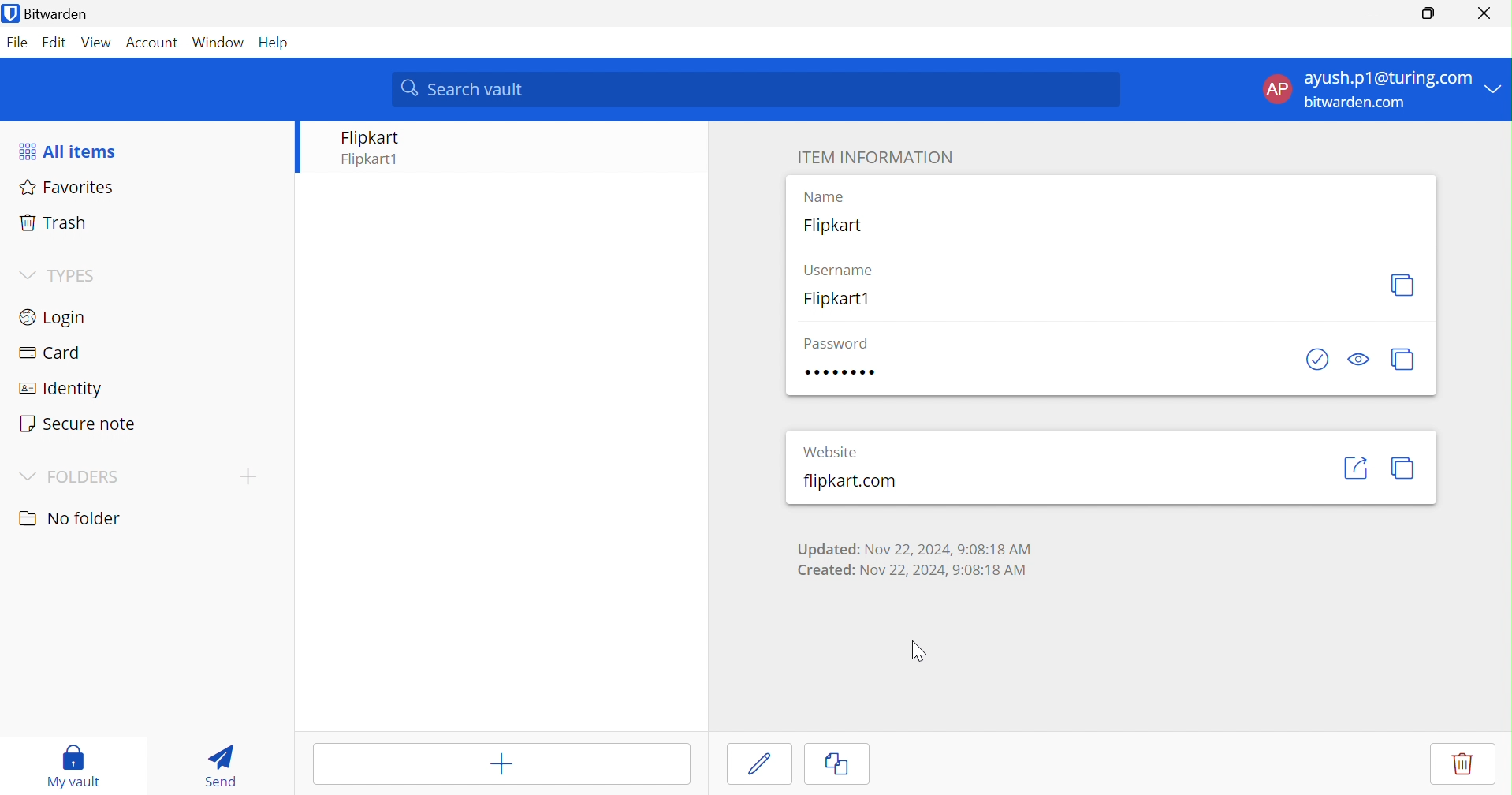 The image size is (1512, 795). Describe the element at coordinates (94, 42) in the screenshot. I see `View` at that location.